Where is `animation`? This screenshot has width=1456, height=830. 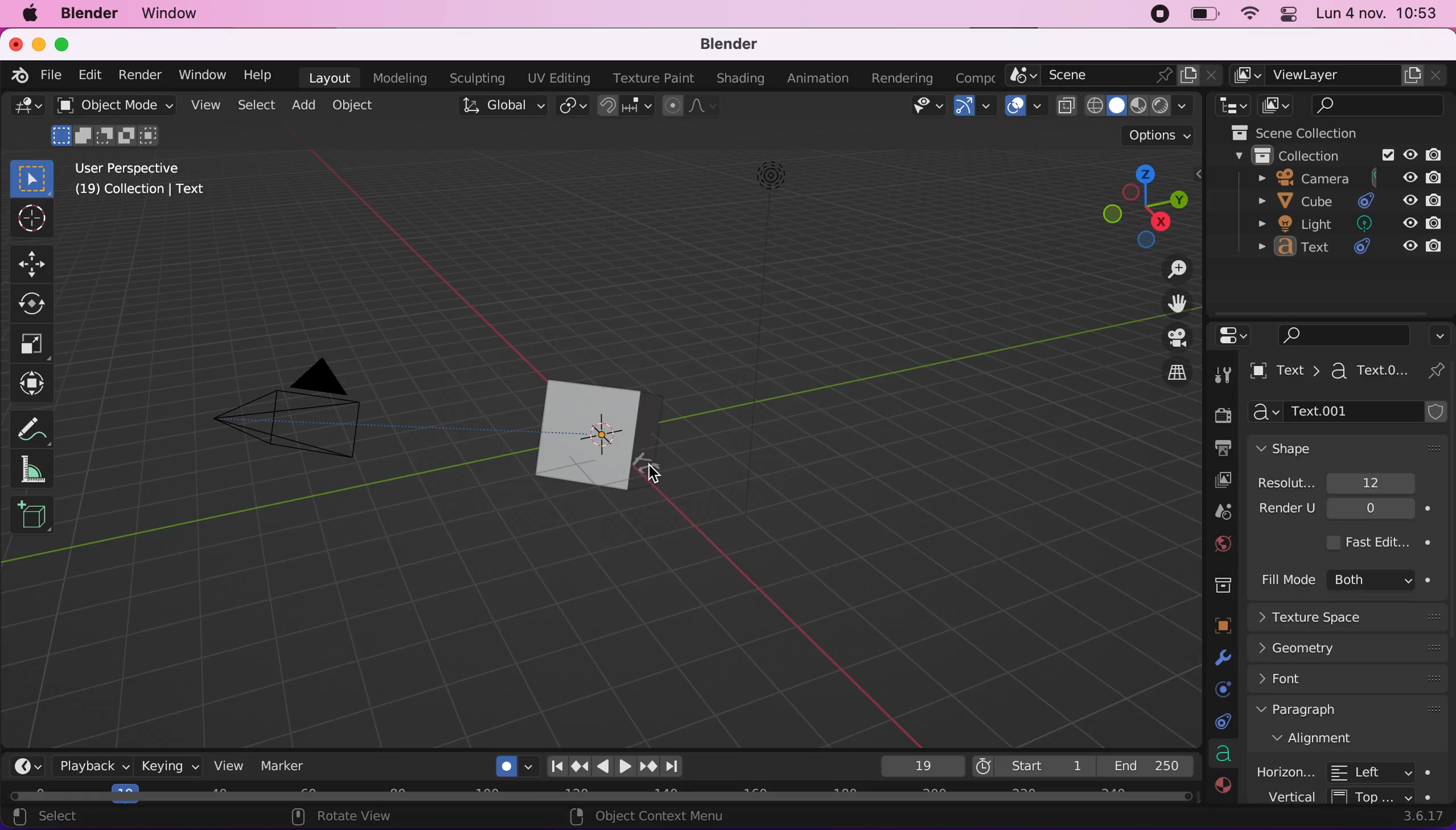
animation is located at coordinates (818, 79).